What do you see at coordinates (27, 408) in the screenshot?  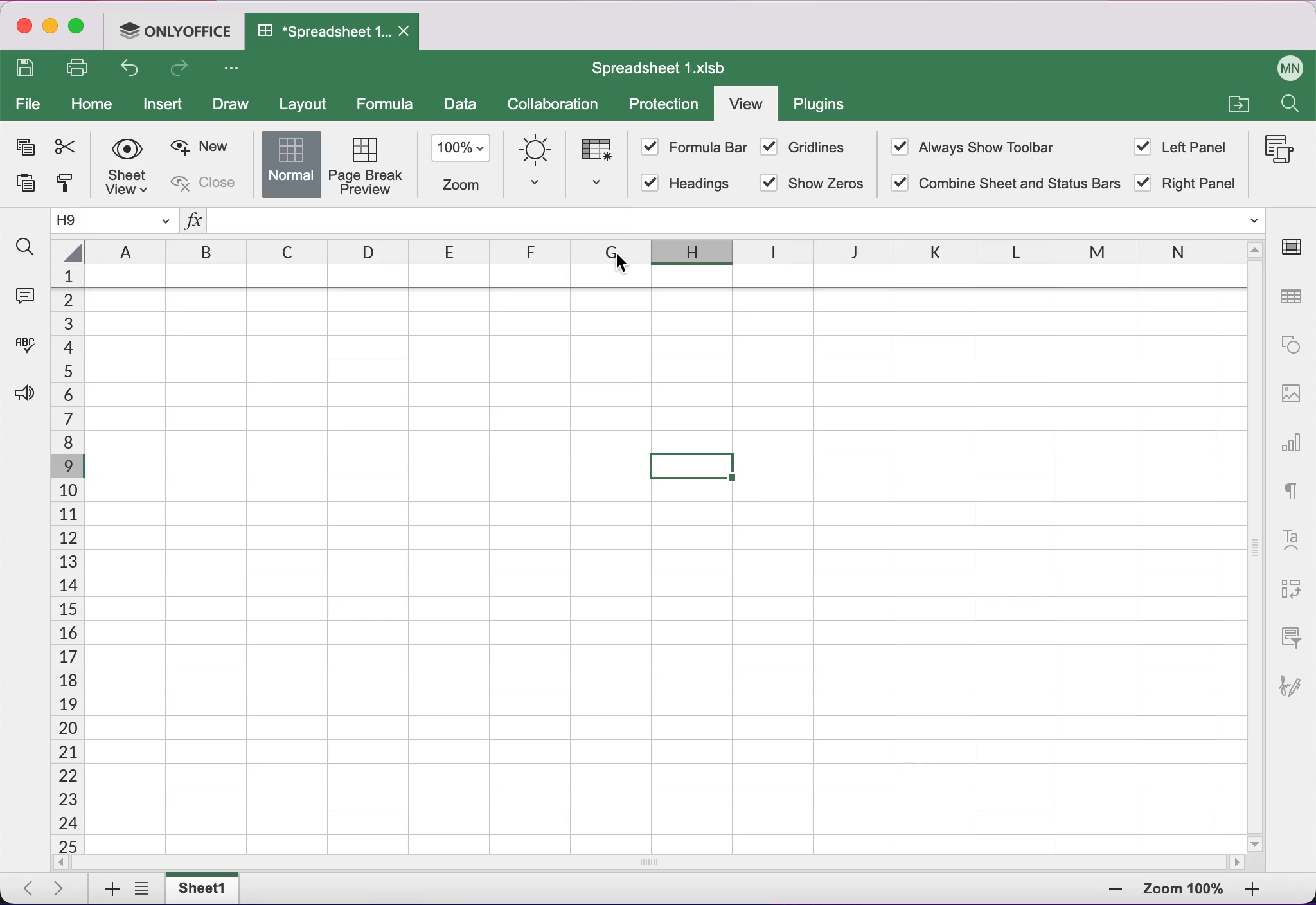 I see `feedback and support` at bounding box center [27, 408].